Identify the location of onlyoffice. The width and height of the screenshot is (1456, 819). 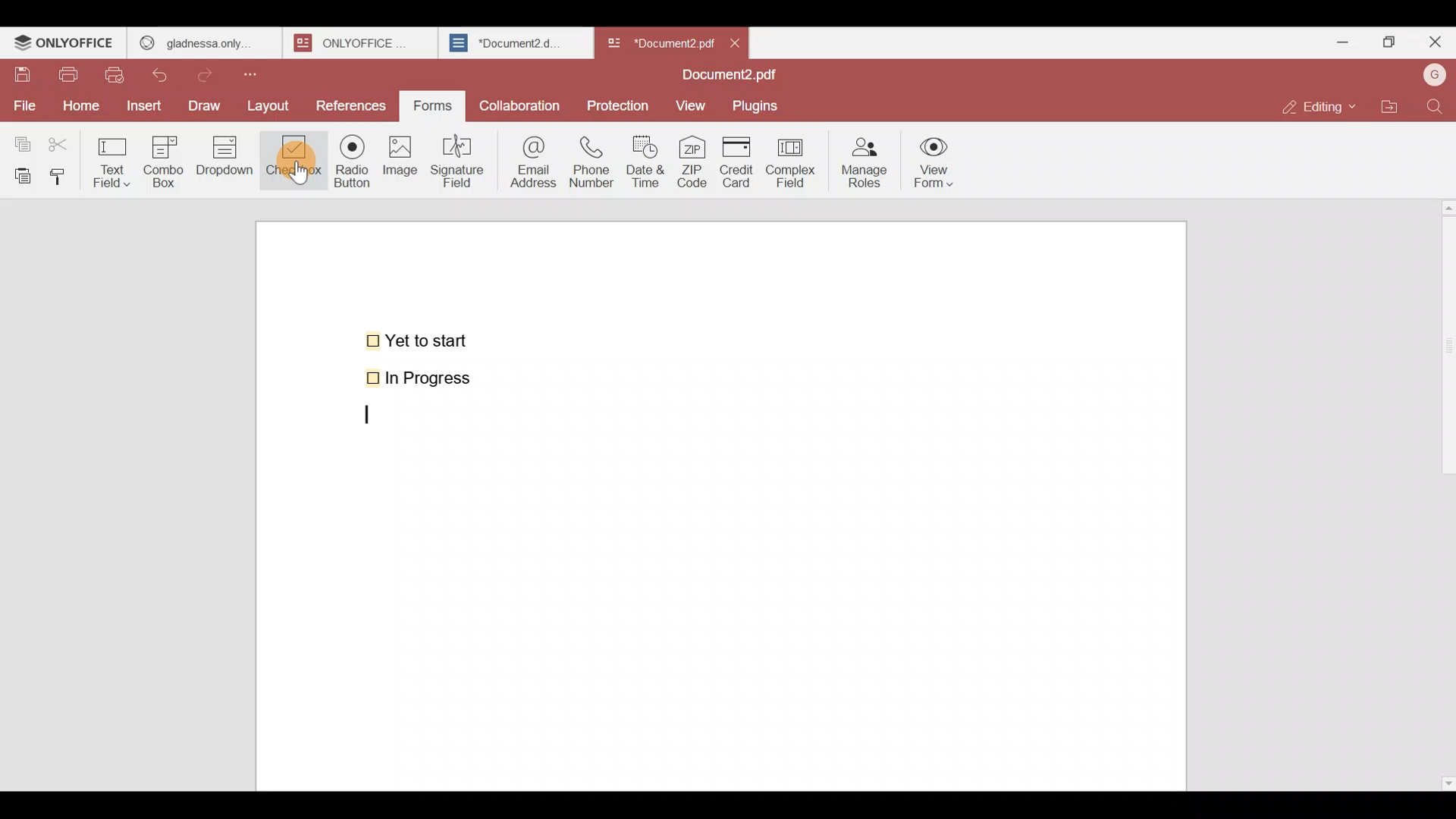
(355, 42).